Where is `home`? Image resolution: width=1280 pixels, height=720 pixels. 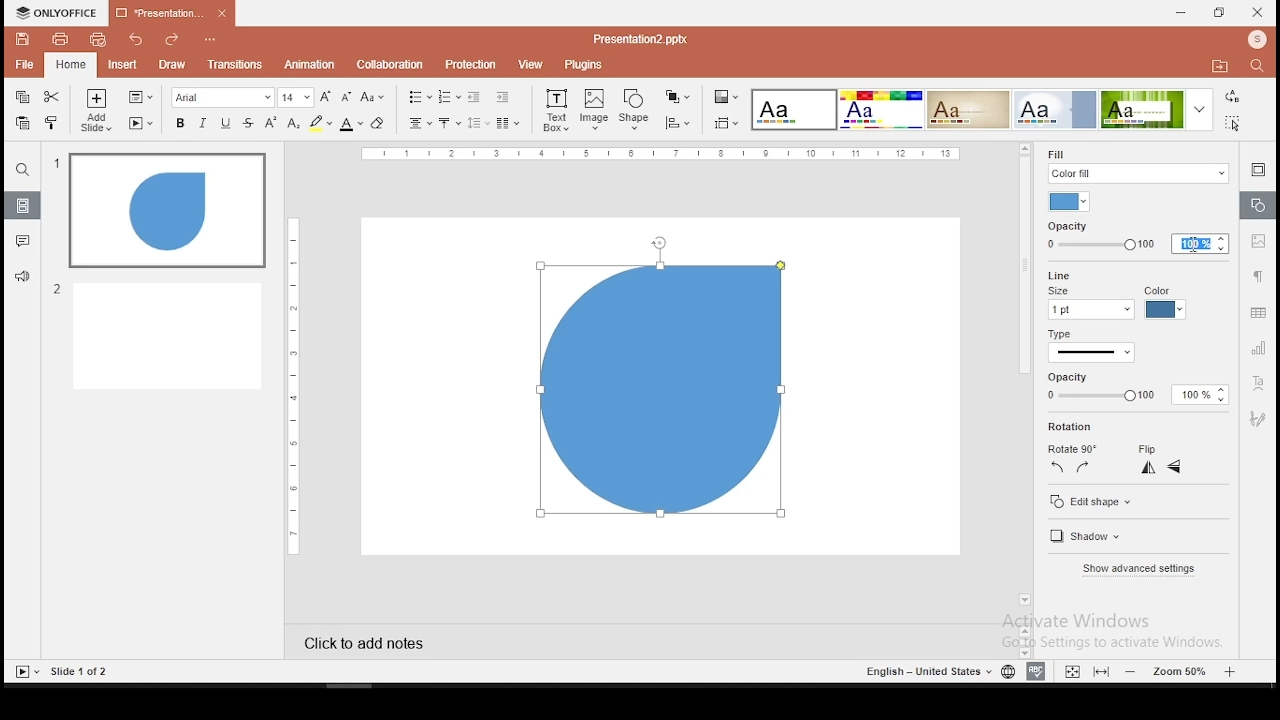
home is located at coordinates (70, 66).